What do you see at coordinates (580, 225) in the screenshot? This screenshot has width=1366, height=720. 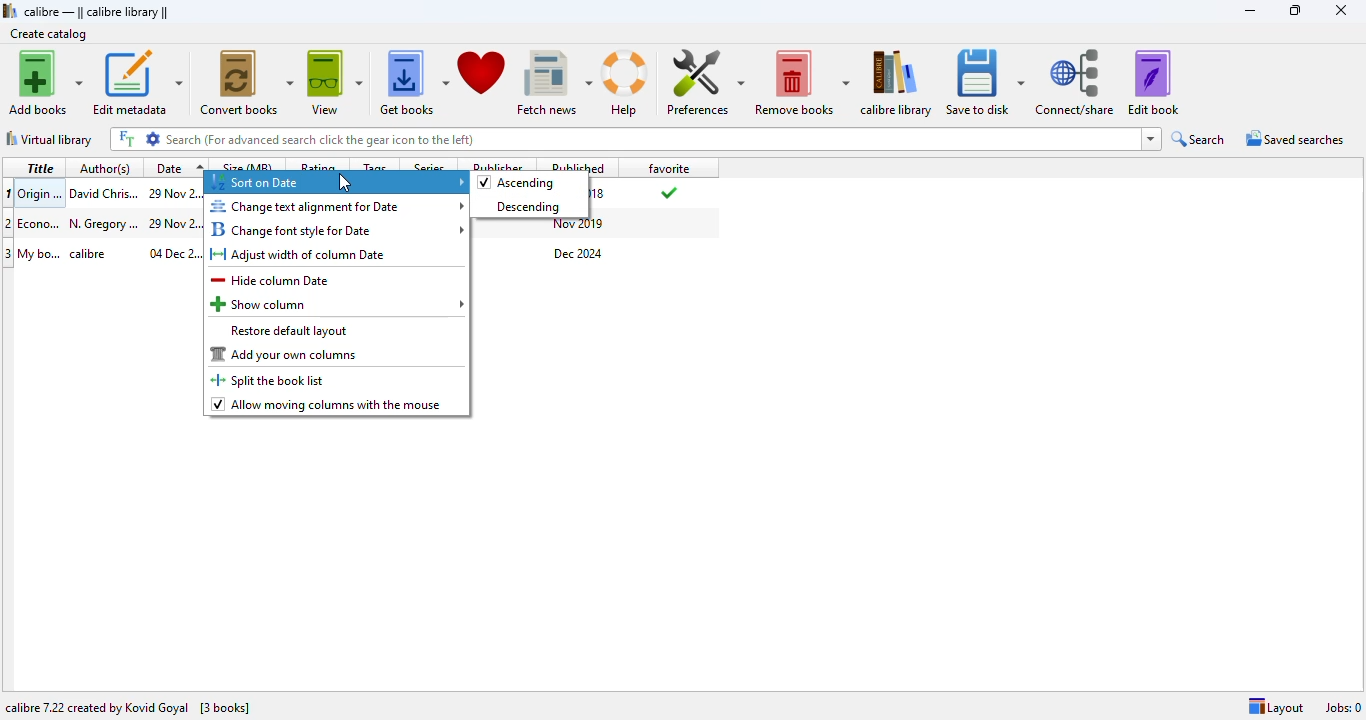 I see `publish date` at bounding box center [580, 225].